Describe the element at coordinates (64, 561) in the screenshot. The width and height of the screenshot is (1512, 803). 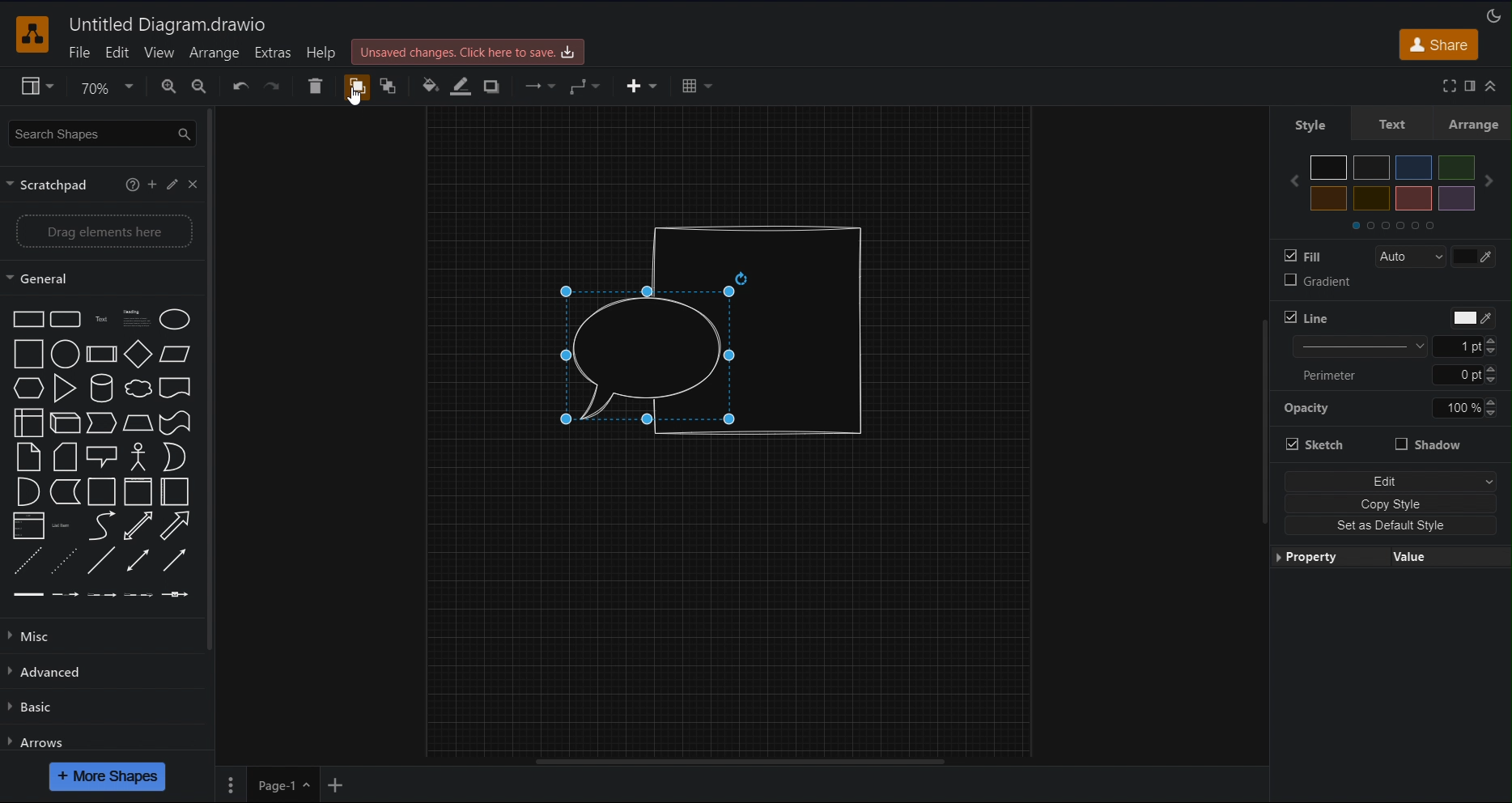
I see `Dotted line` at that location.